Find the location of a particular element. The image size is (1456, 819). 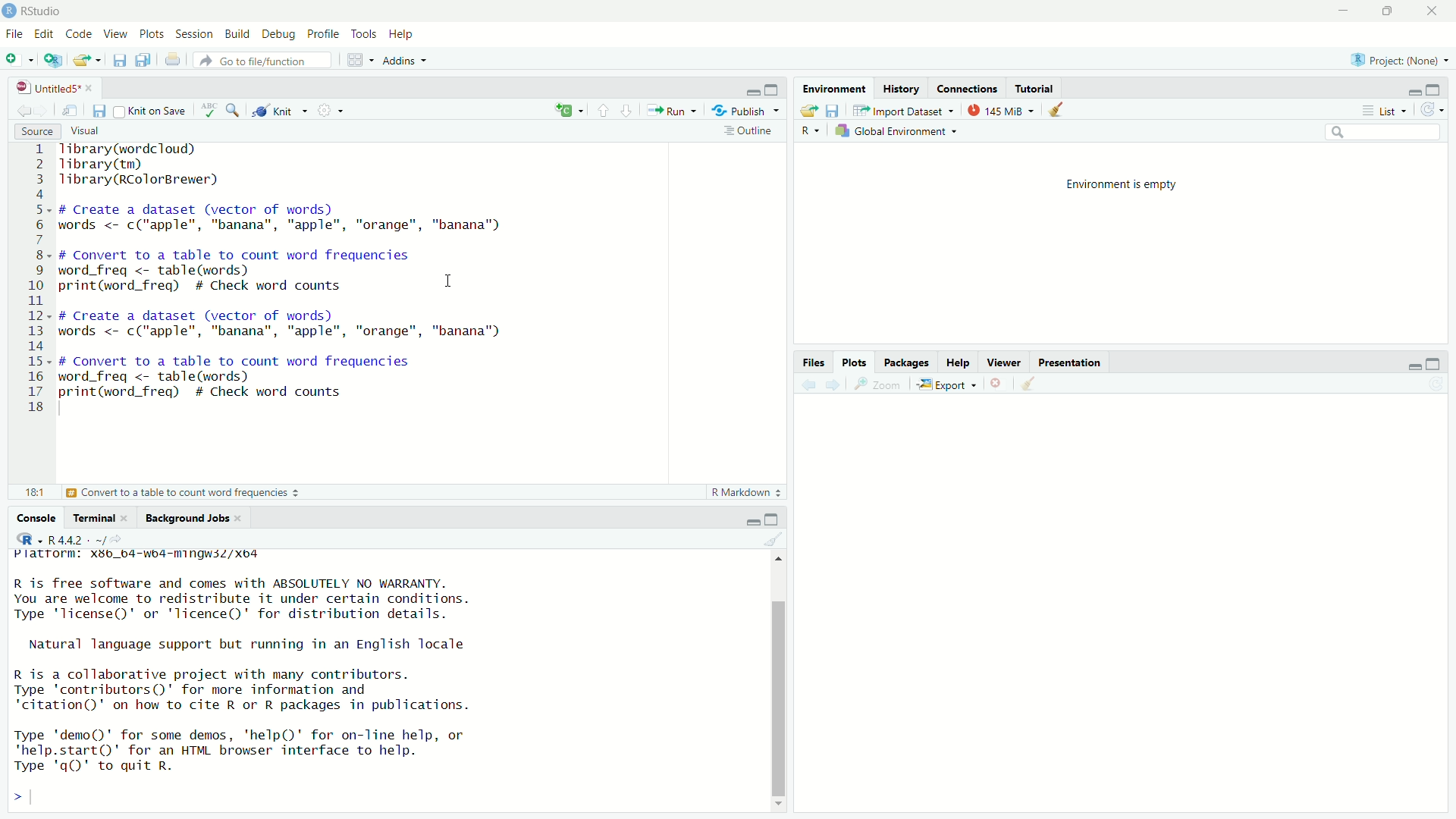

Session is located at coordinates (196, 36).